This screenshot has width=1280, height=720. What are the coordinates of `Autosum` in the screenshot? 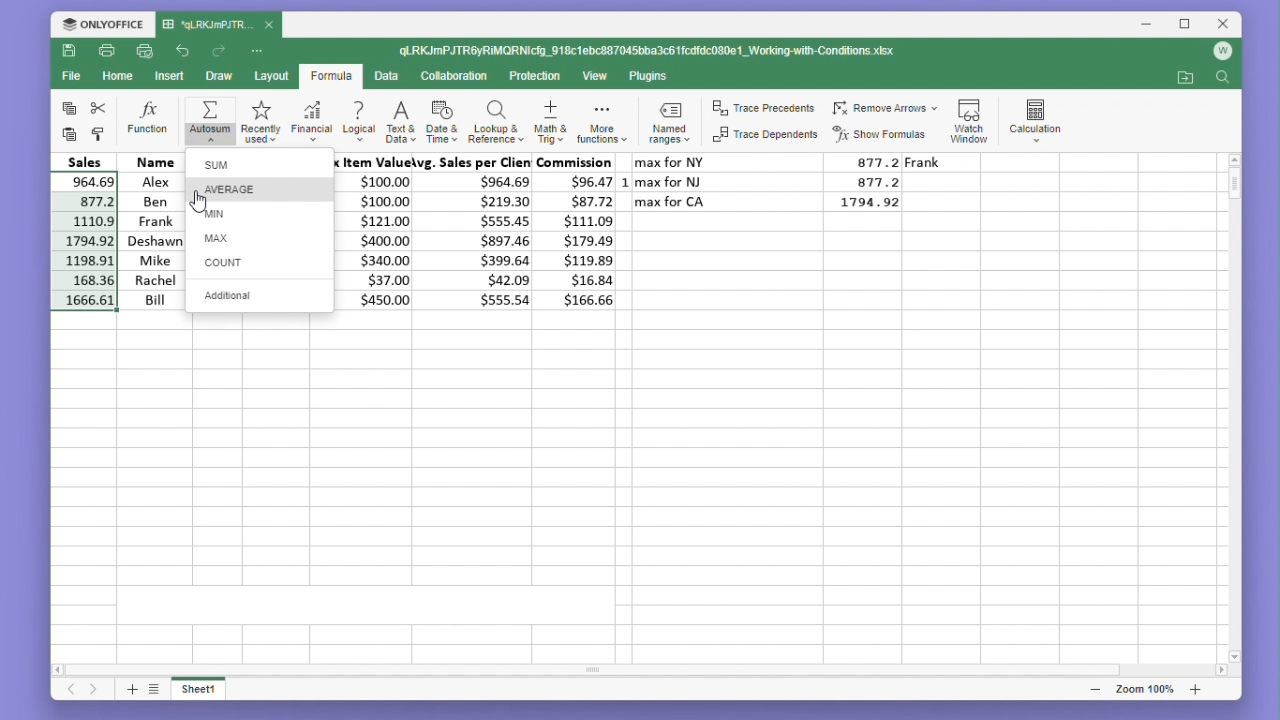 It's located at (208, 121).